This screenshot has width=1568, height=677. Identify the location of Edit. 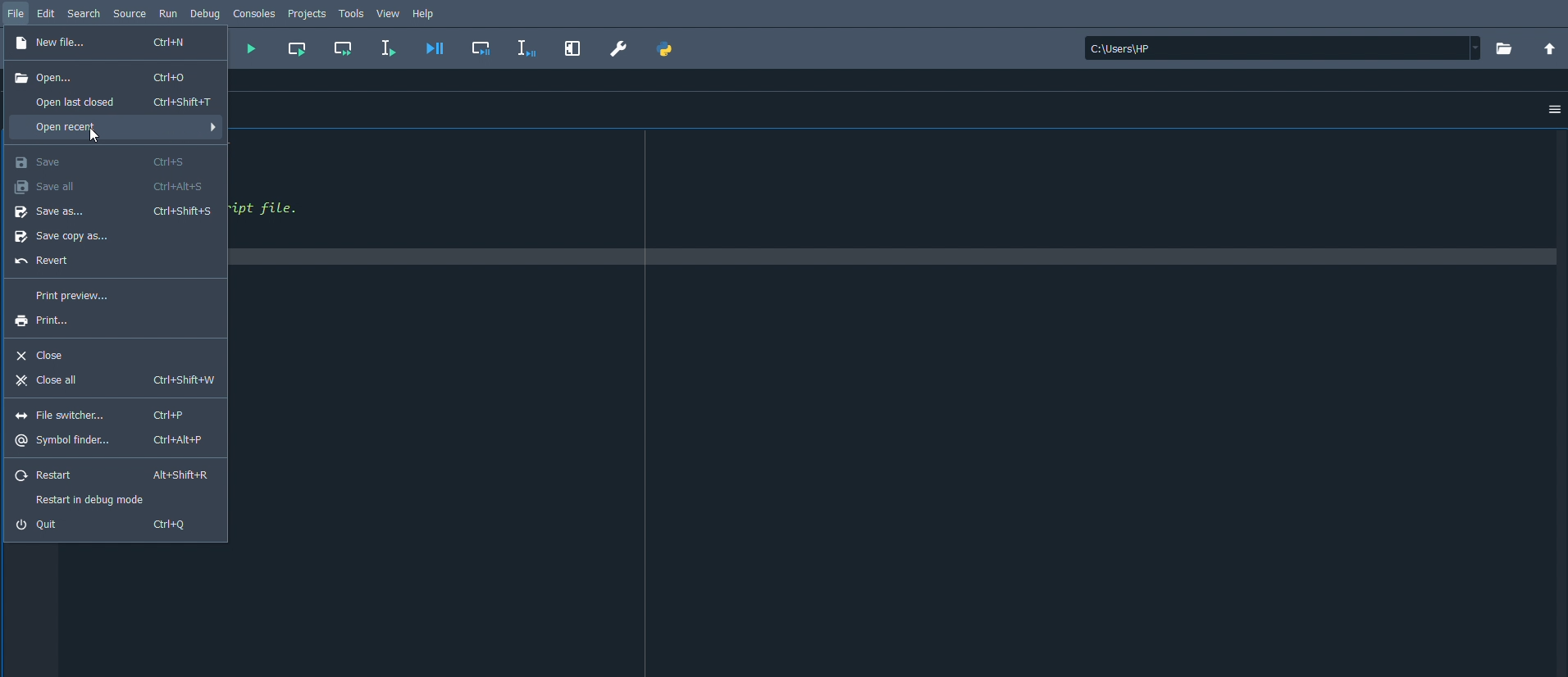
(47, 12).